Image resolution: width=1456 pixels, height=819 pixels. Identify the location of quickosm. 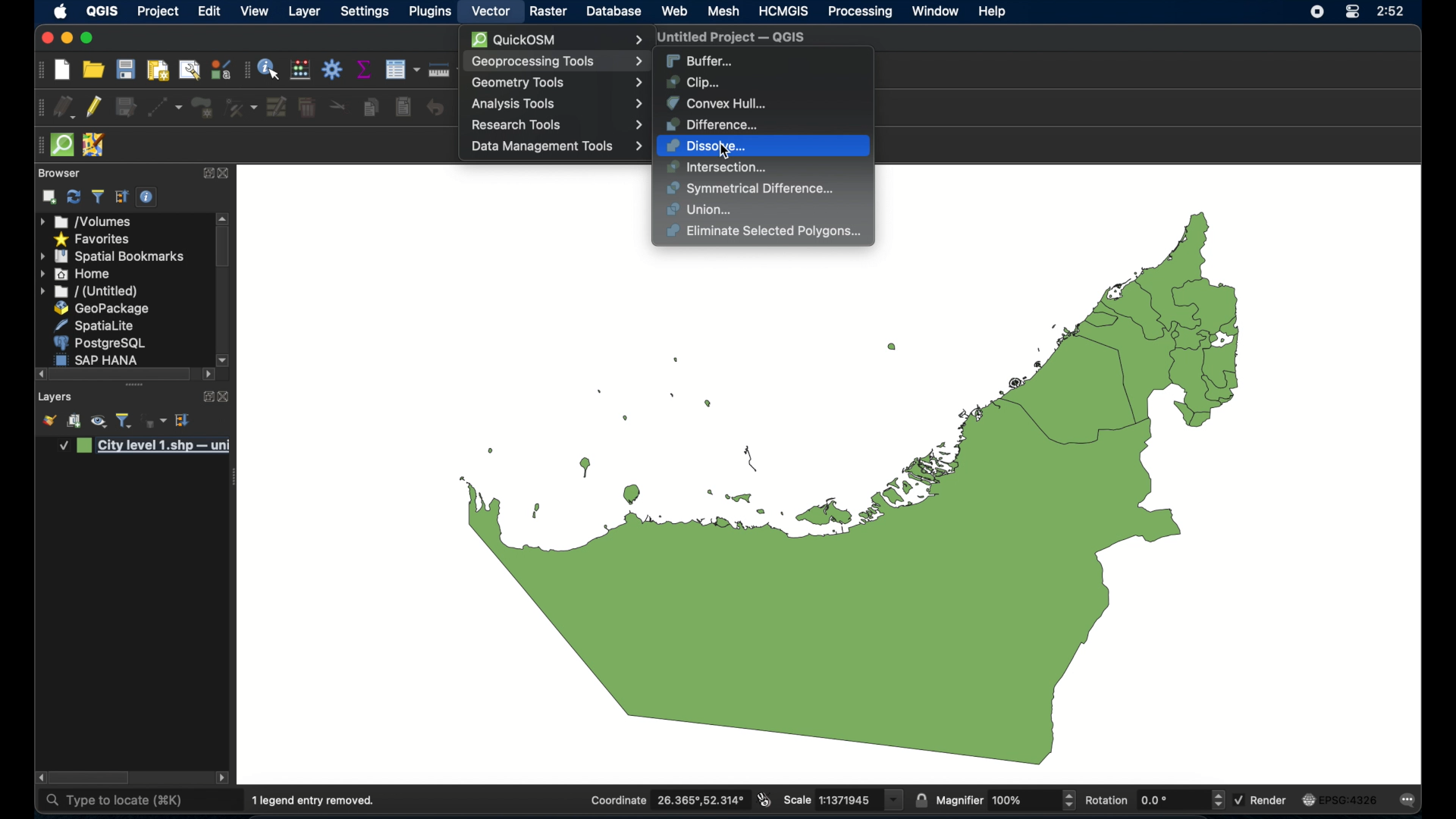
(556, 39).